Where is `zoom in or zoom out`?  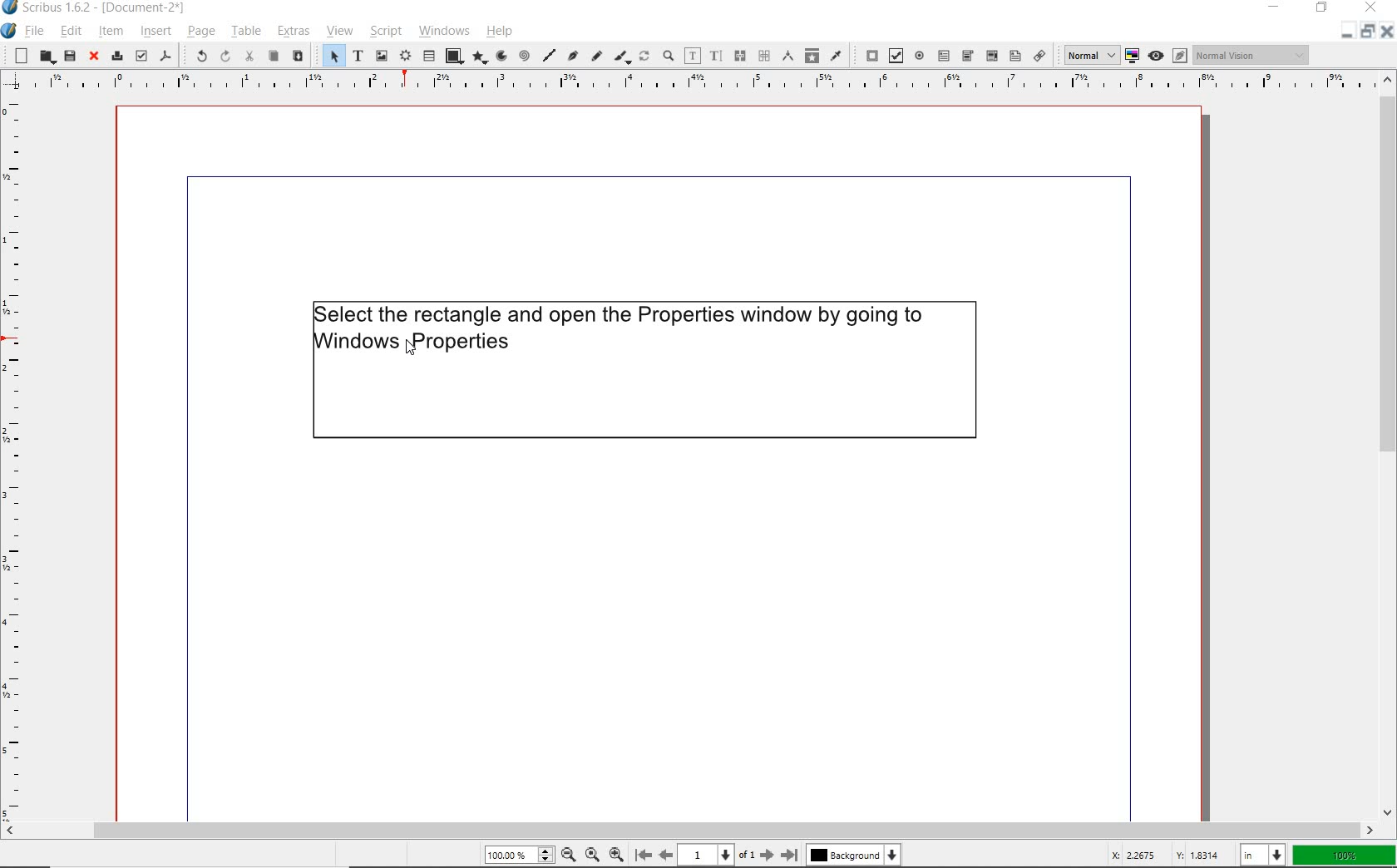
zoom in or zoom out is located at coordinates (666, 57).